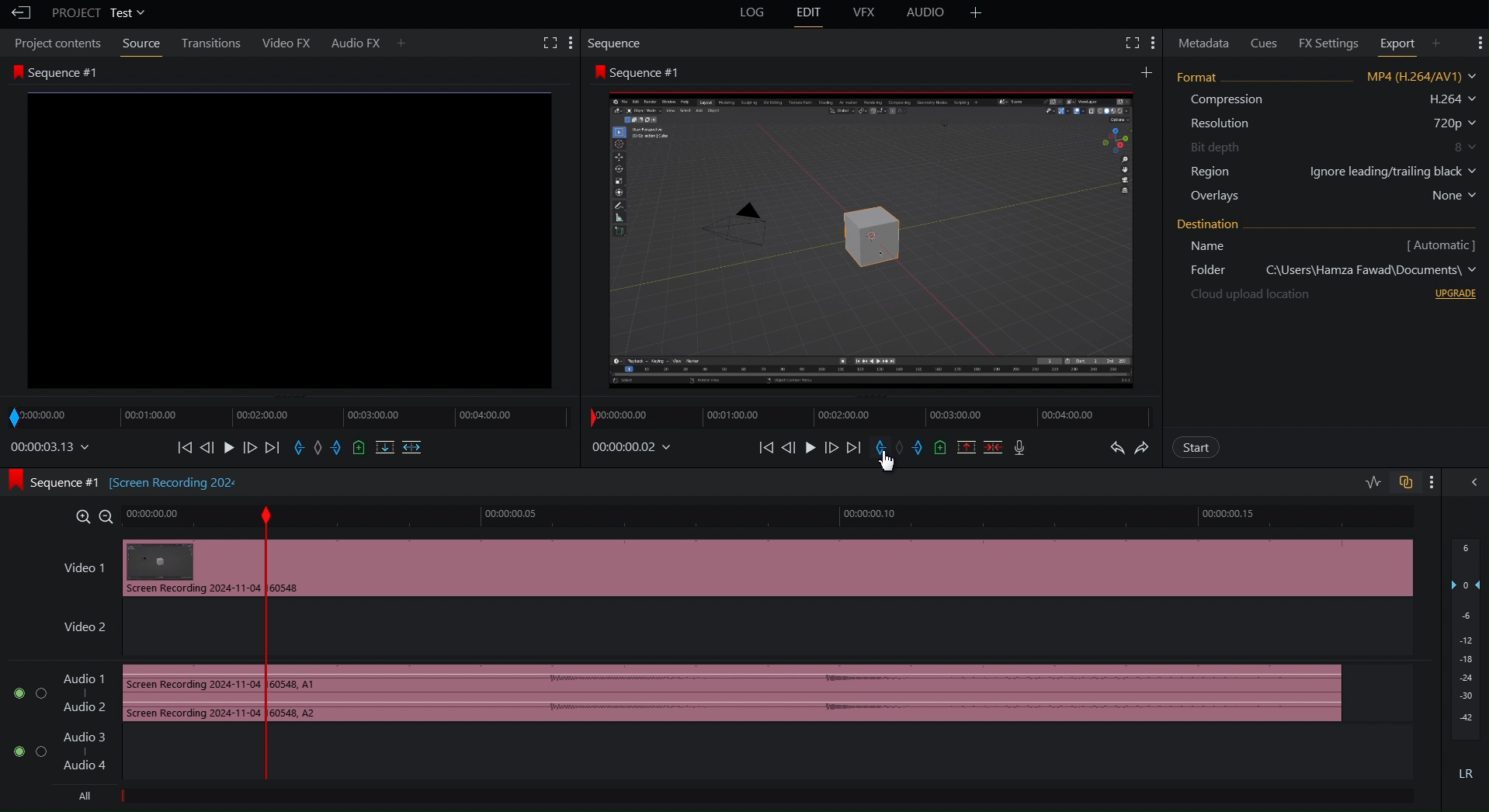  I want to click on Skip Forward, so click(854, 448).